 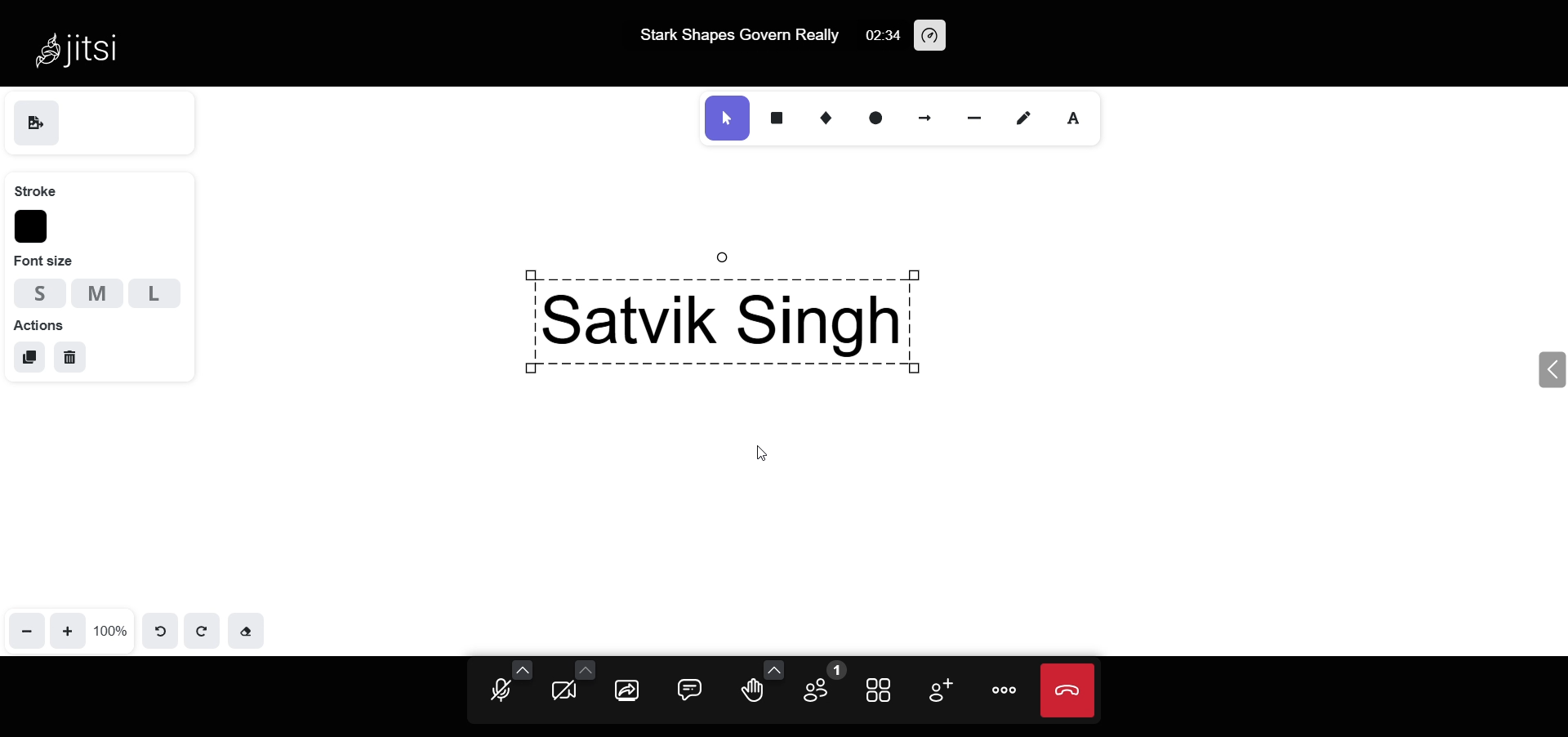 I want to click on expand, so click(x=1549, y=369).